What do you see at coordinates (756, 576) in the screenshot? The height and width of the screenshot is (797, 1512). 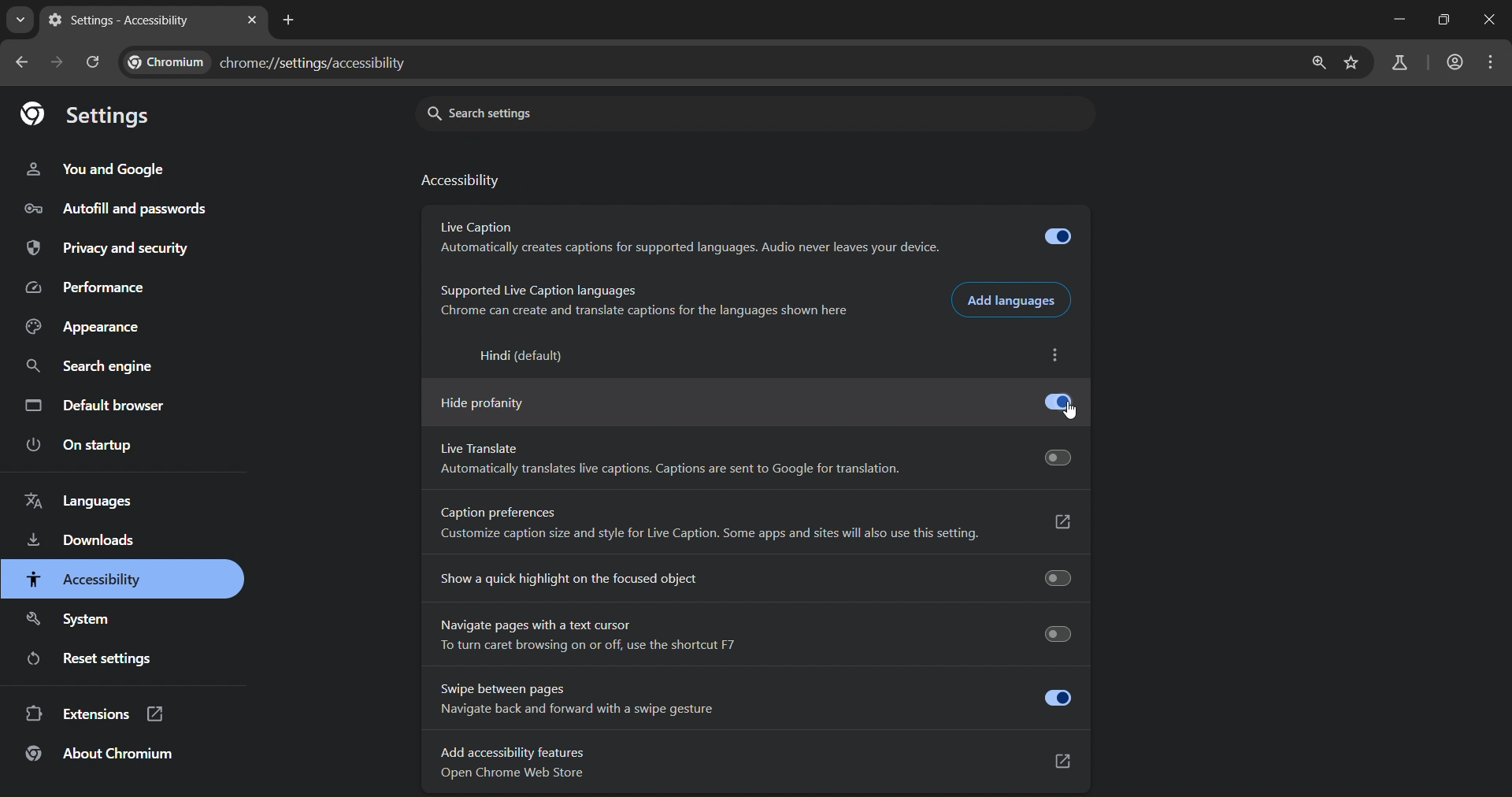 I see `show a quick highlight on the focused object` at bounding box center [756, 576].